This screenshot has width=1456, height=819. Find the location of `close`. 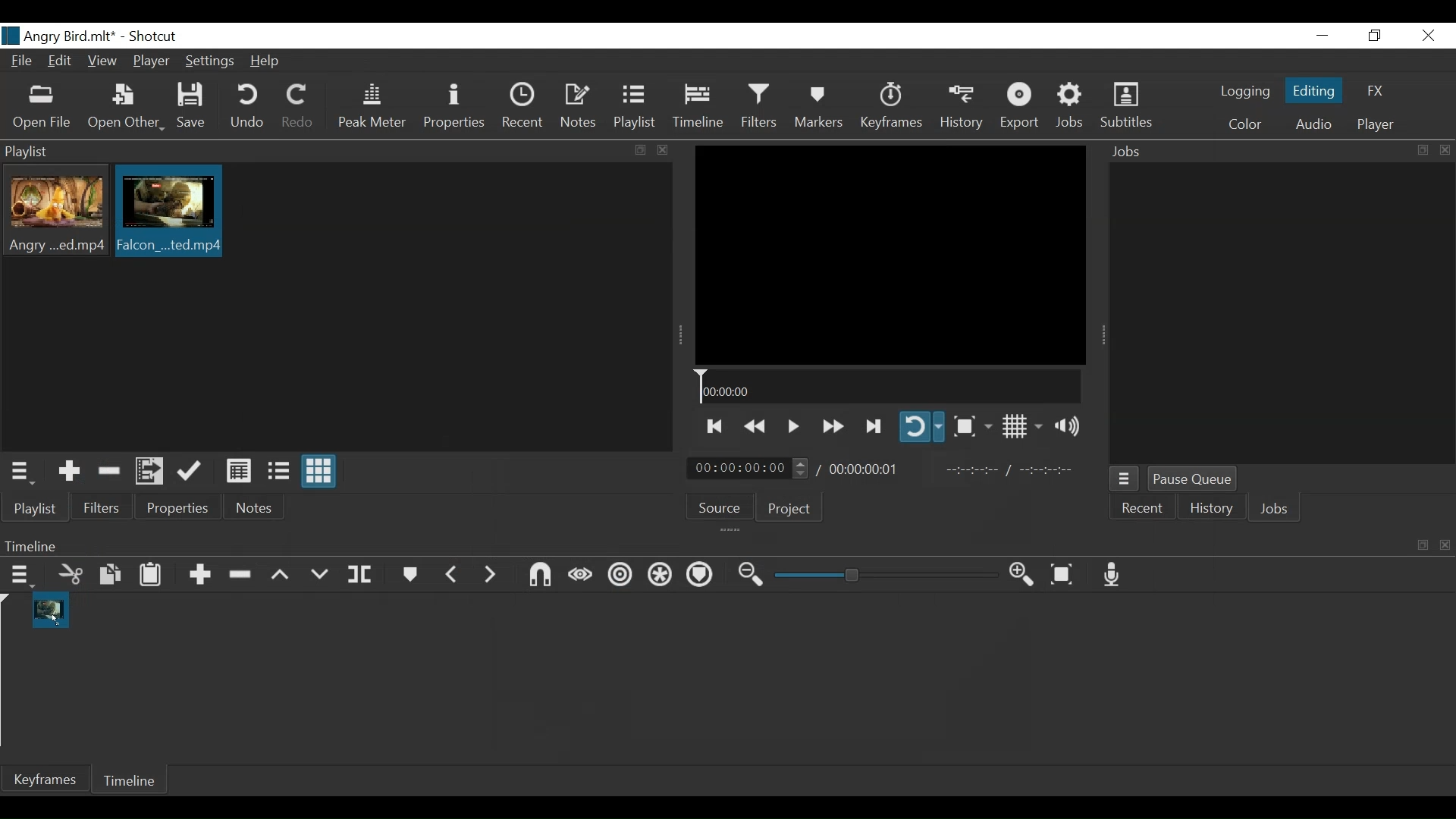

close is located at coordinates (1447, 545).